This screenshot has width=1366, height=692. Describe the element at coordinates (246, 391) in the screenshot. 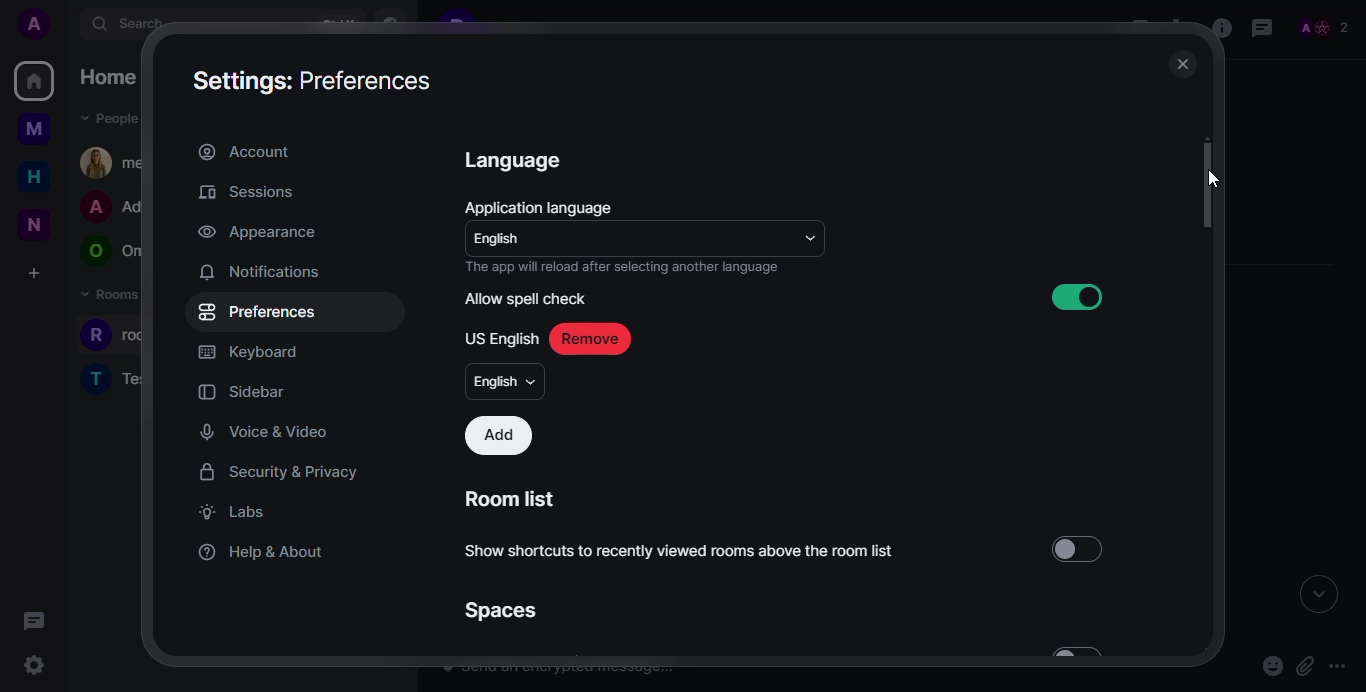

I see `sidebar` at that location.